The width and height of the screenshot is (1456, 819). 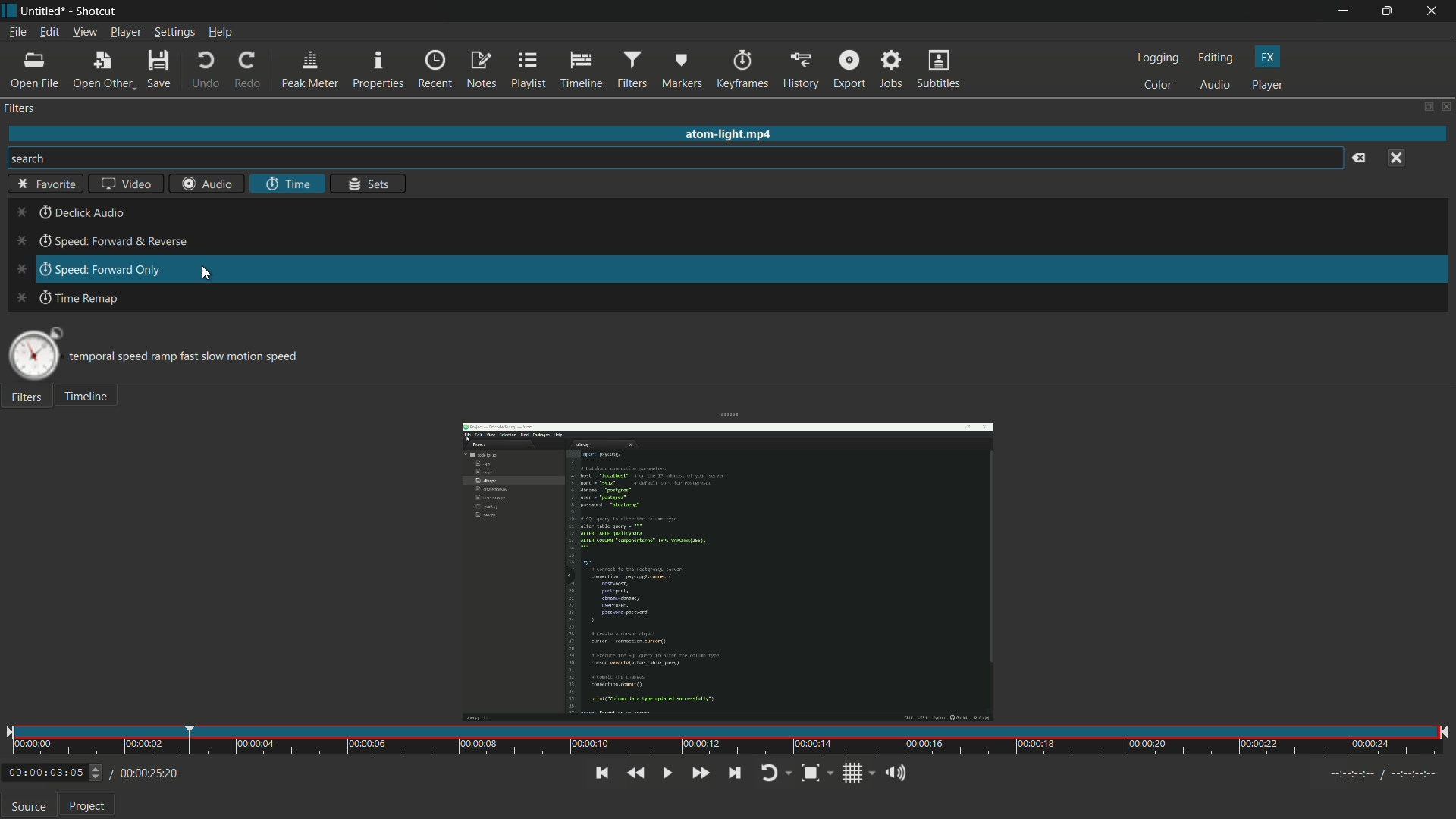 I want to click on audio, so click(x=1216, y=86).